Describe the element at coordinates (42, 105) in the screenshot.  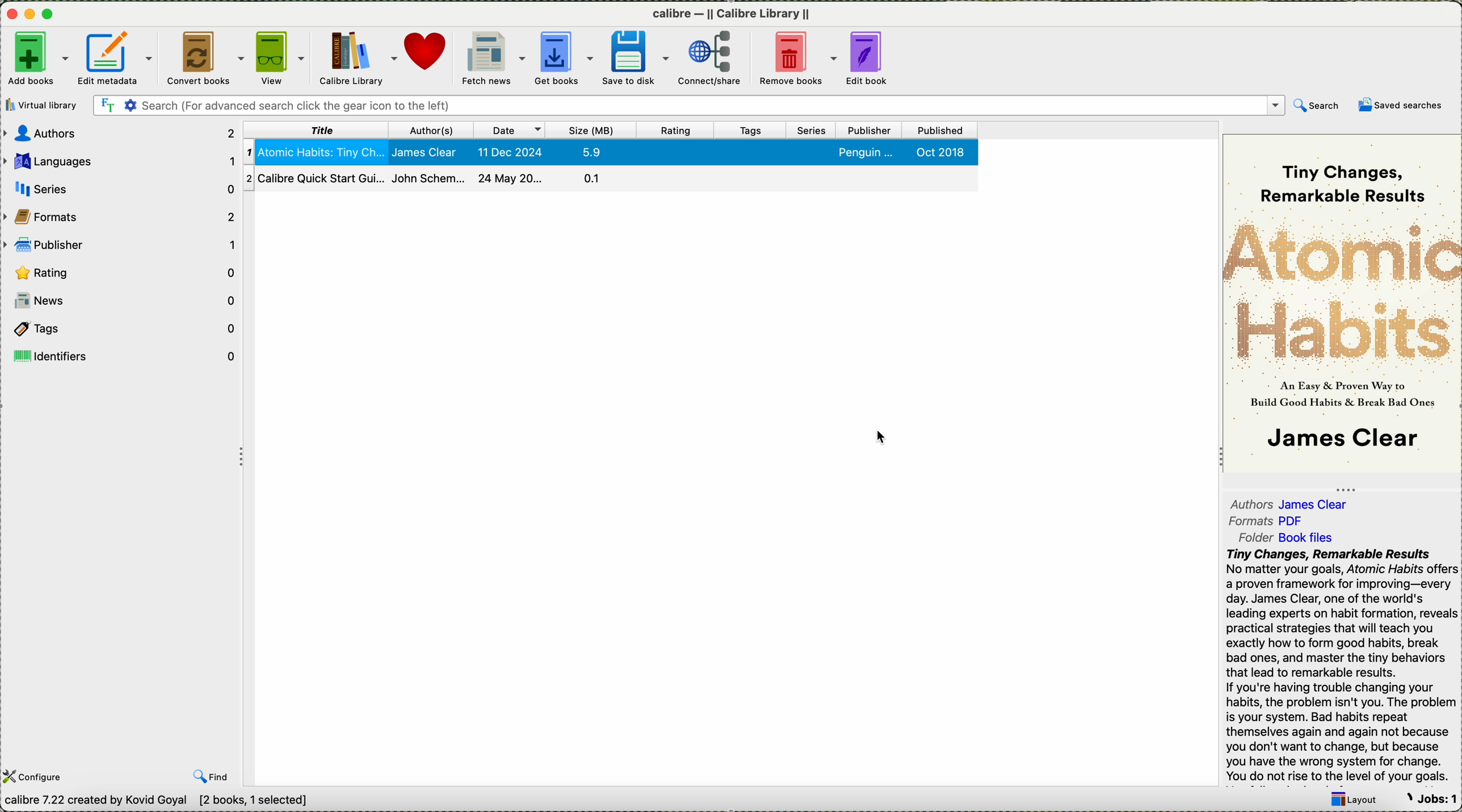
I see `virtual library` at that location.